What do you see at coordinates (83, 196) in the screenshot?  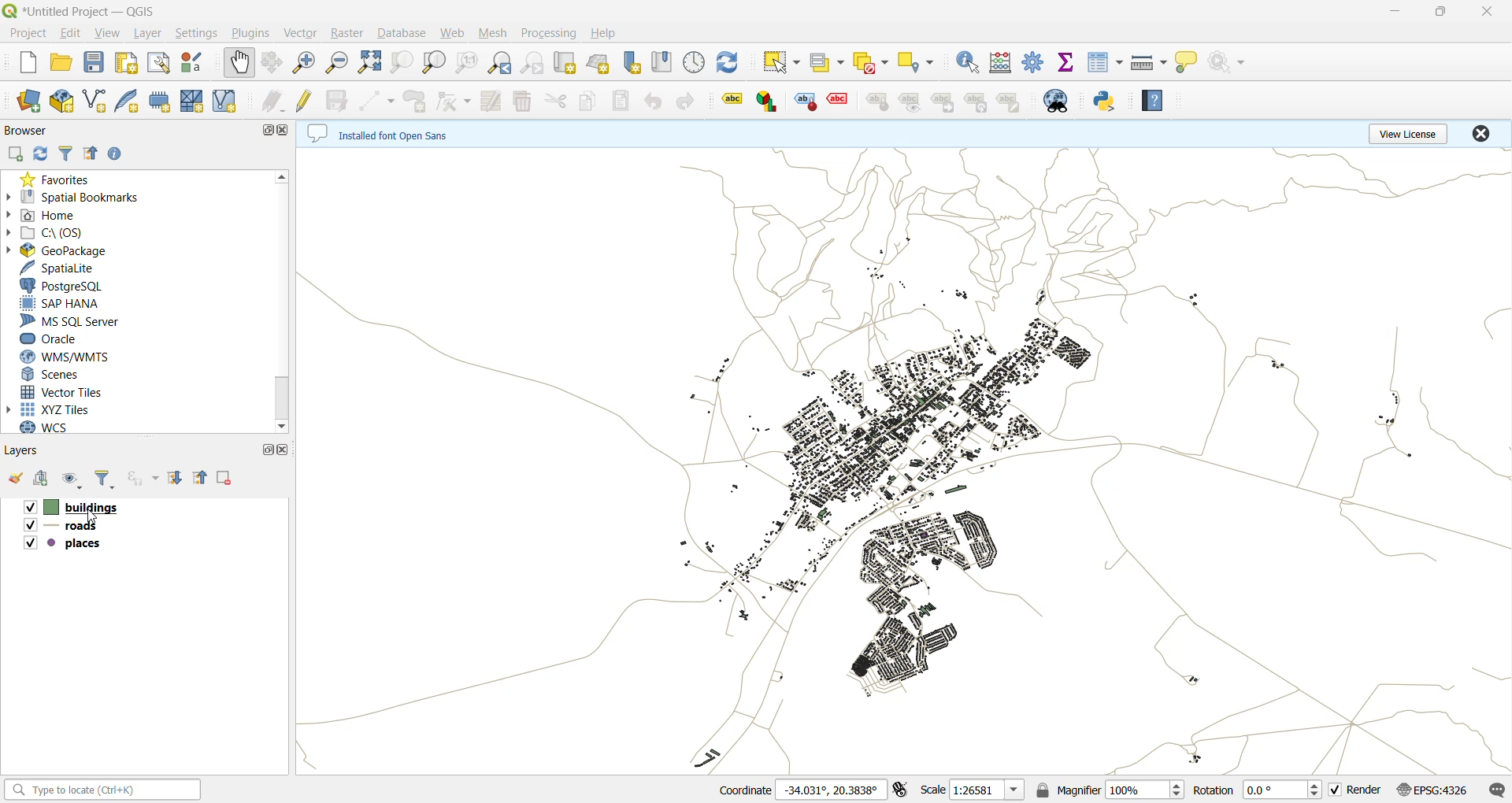 I see `spatial bookmarks` at bounding box center [83, 196].